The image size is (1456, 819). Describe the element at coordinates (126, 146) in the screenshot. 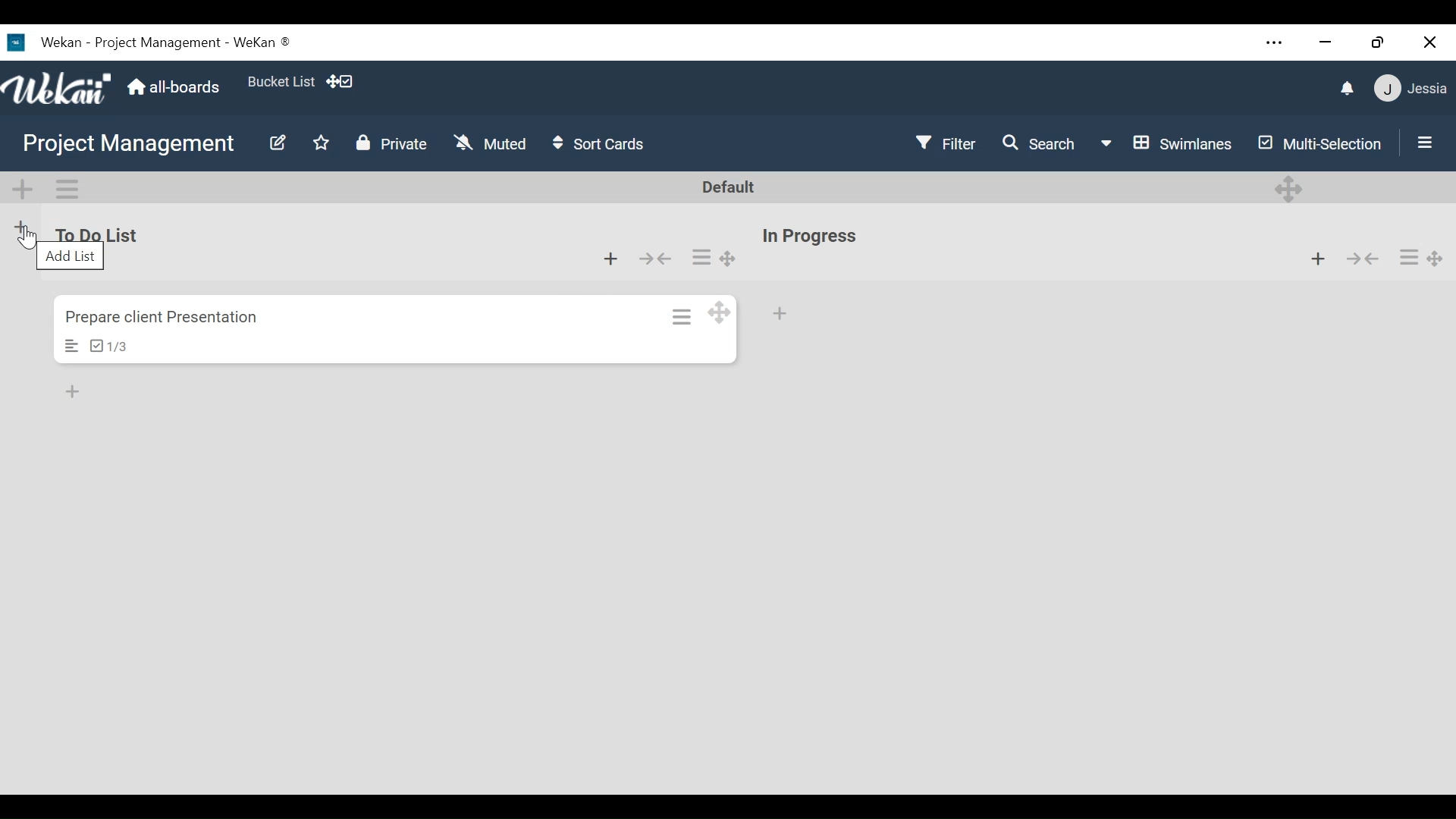

I see `Board Title` at that location.